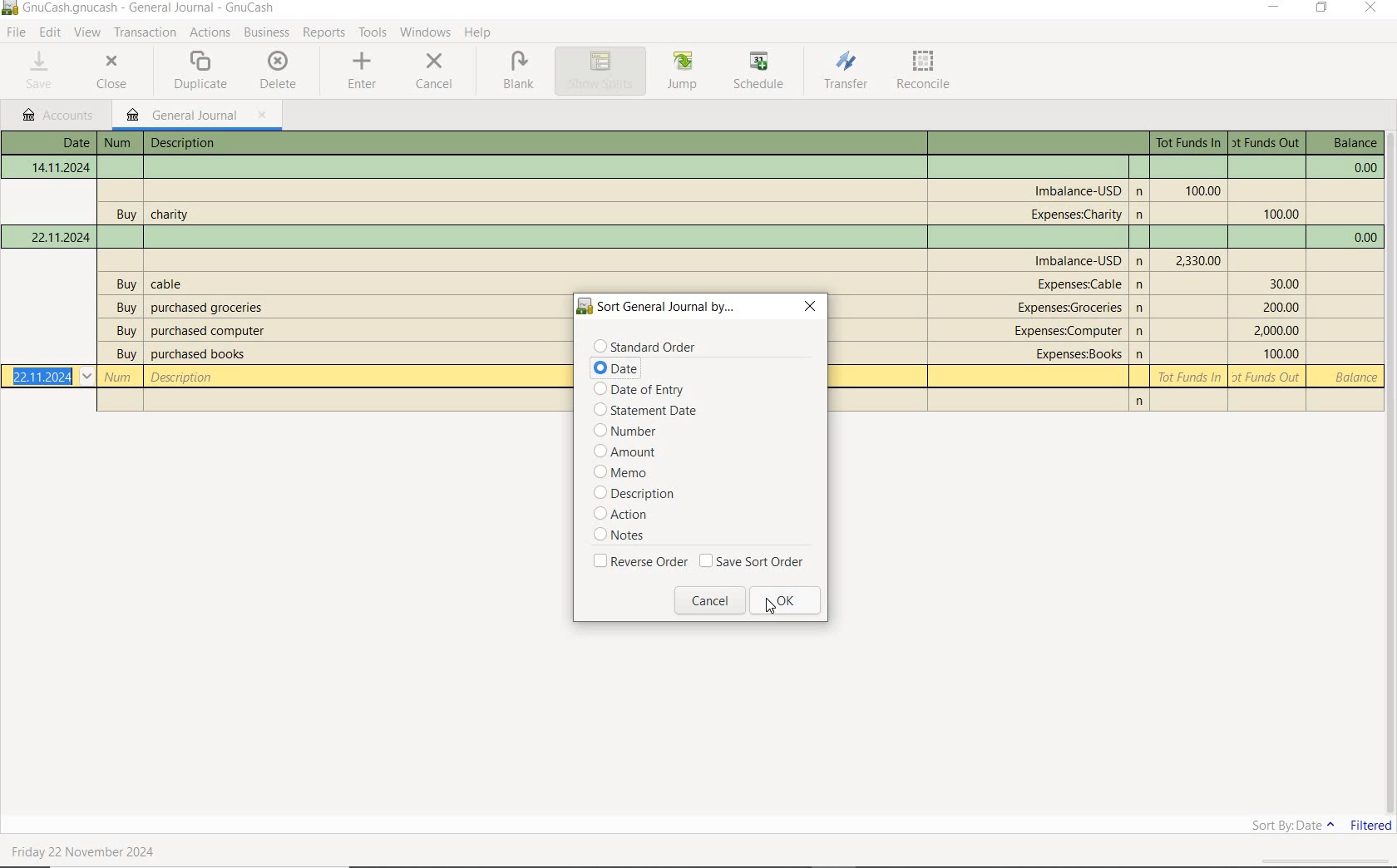  Describe the element at coordinates (124, 333) in the screenshot. I see `buy` at that location.